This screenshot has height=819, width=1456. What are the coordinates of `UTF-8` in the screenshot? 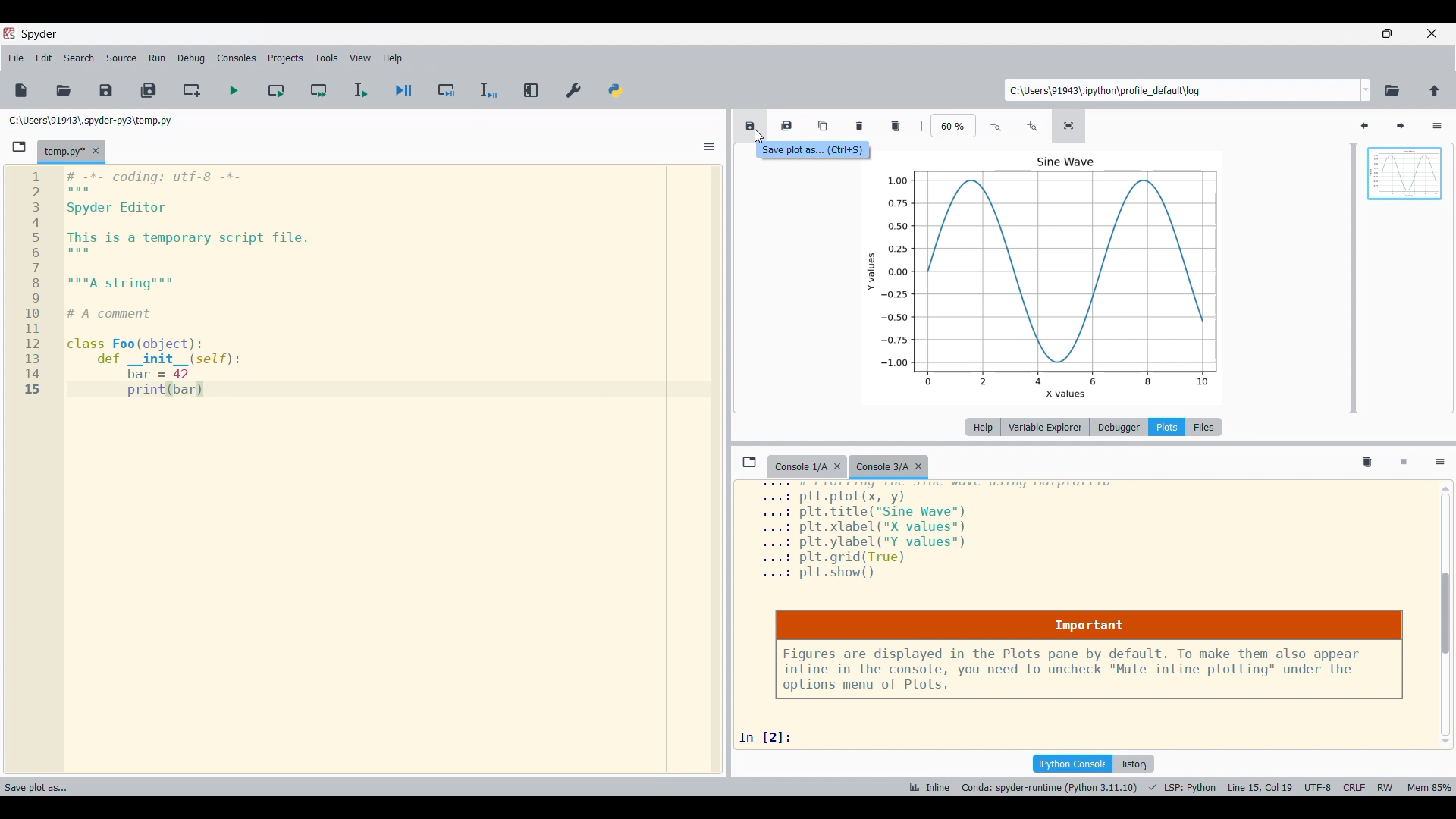 It's located at (1318, 786).